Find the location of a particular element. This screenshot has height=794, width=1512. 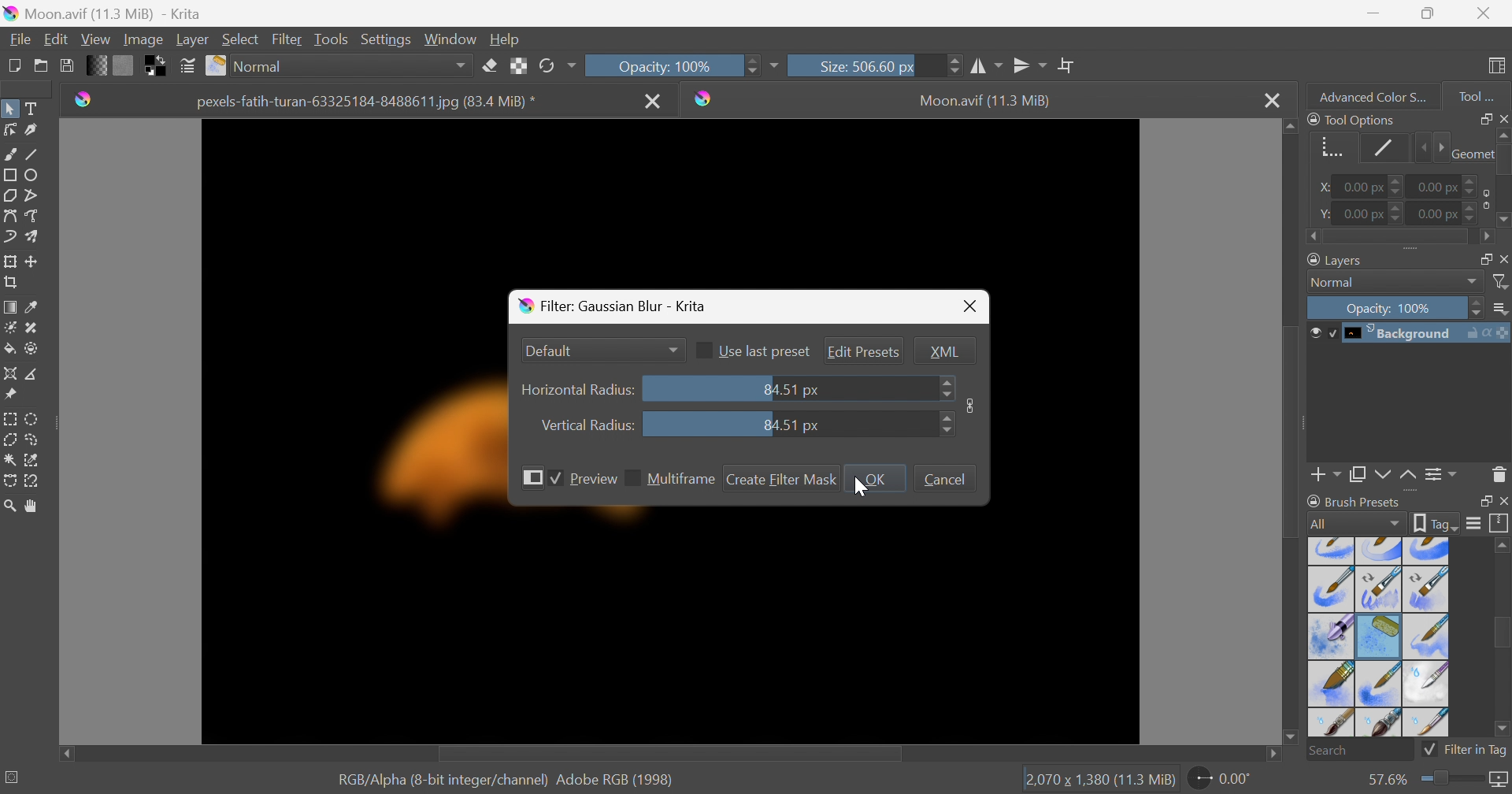

Preview is located at coordinates (594, 479).